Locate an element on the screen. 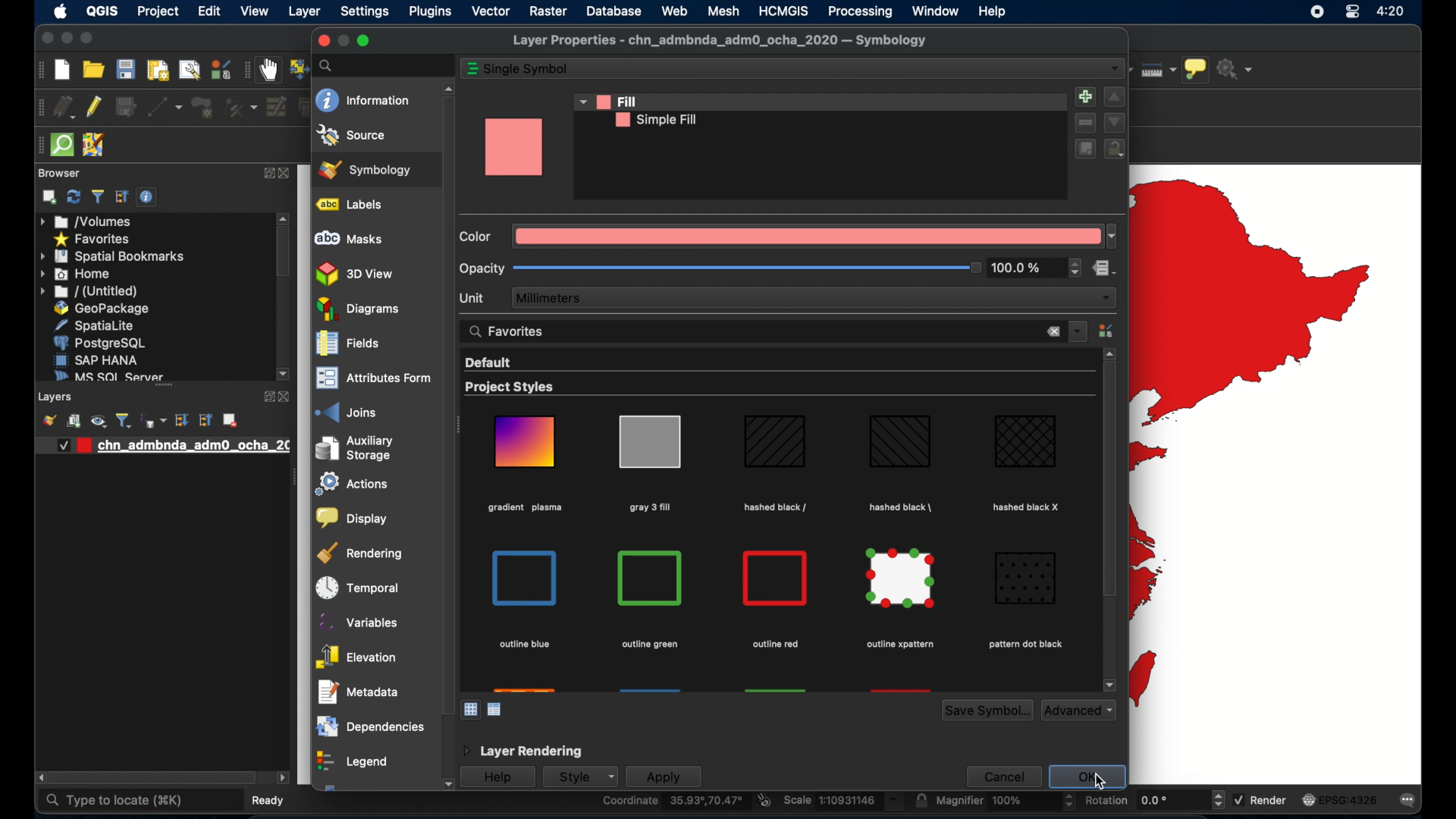  unit is located at coordinates (474, 297).